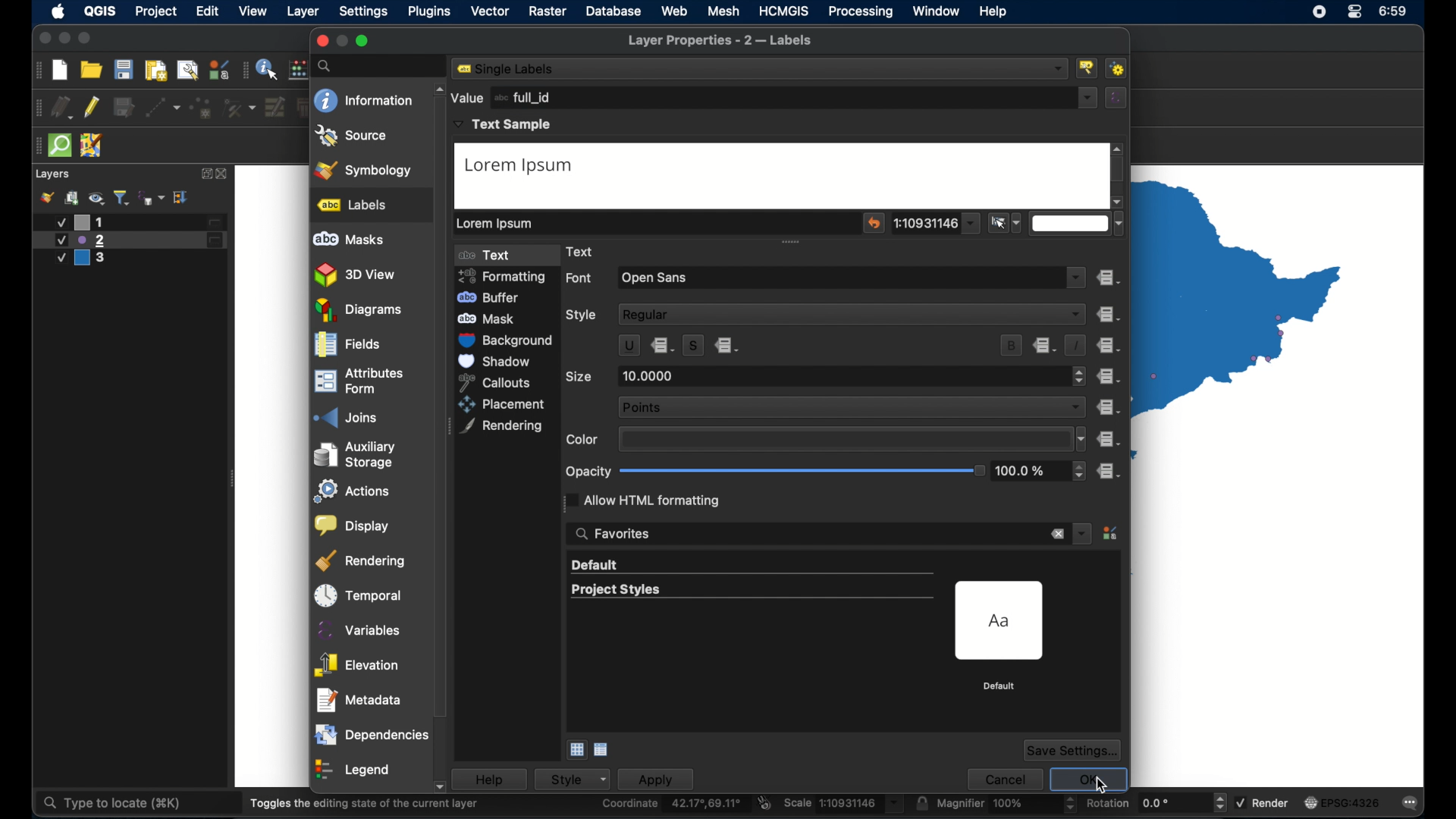 This screenshot has width=1456, height=819. I want to click on scroll  box, so click(1119, 171).